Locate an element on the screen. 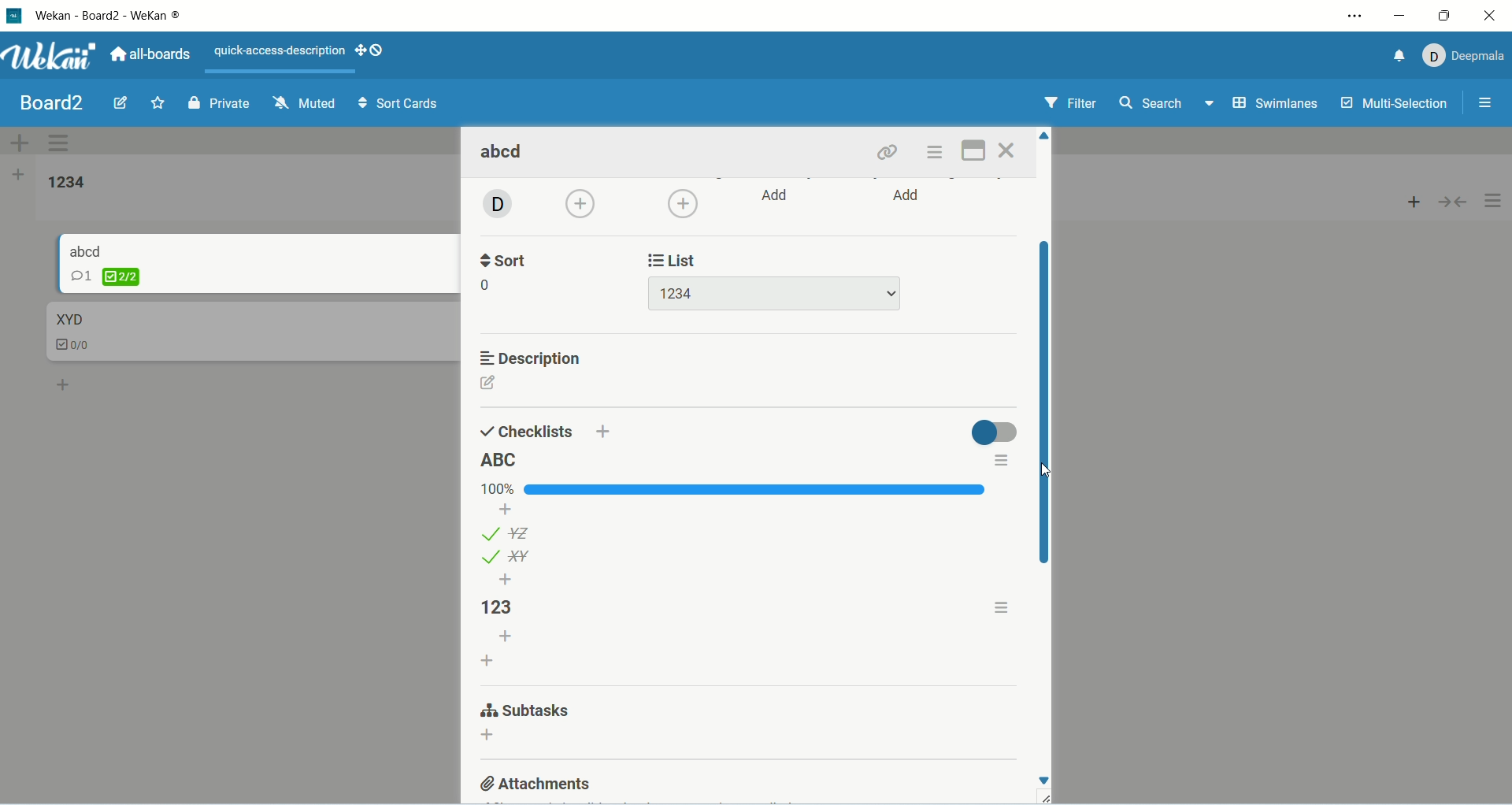 The image size is (1512, 805). attachments is located at coordinates (537, 782).